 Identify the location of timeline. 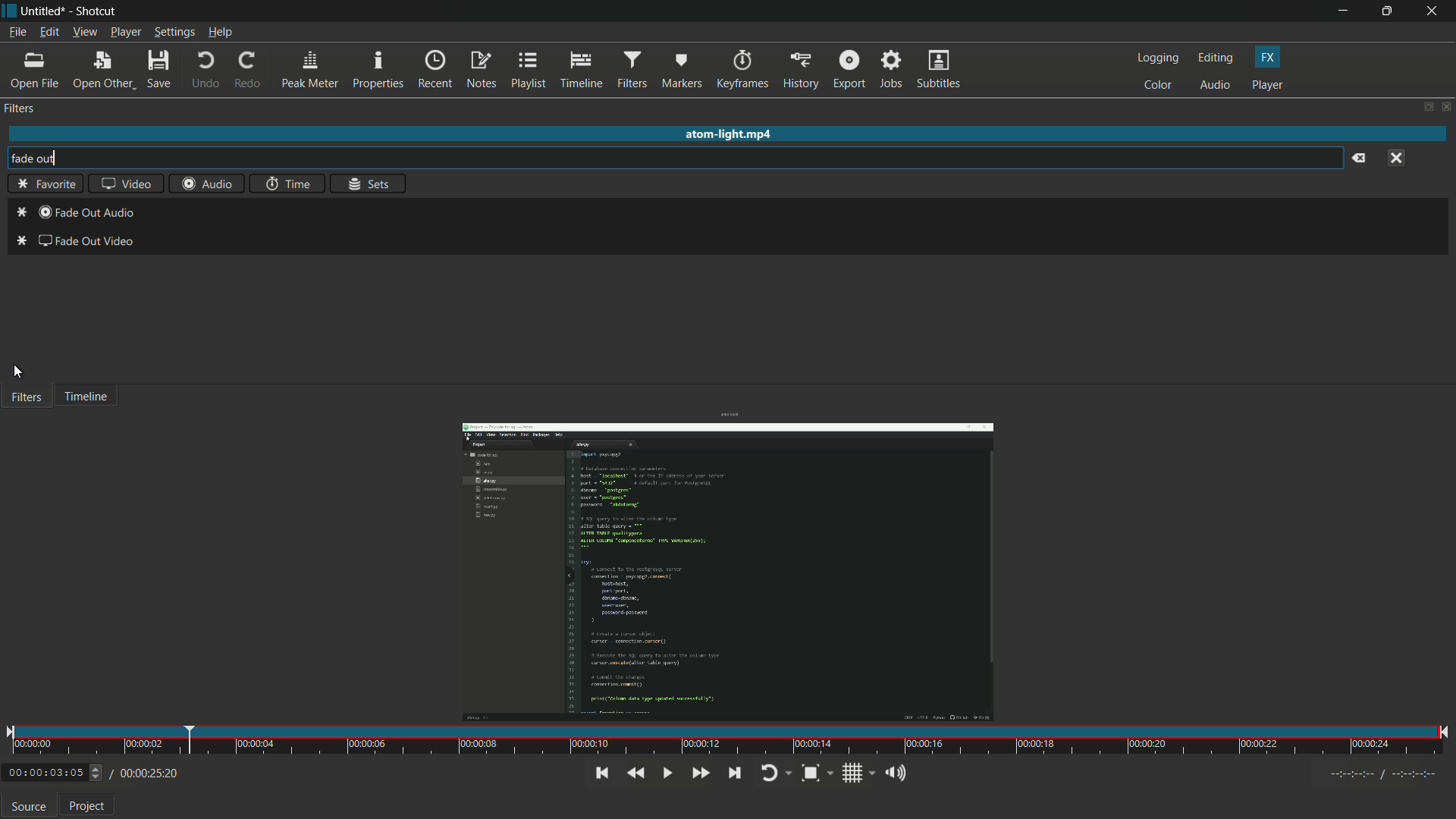
(86, 398).